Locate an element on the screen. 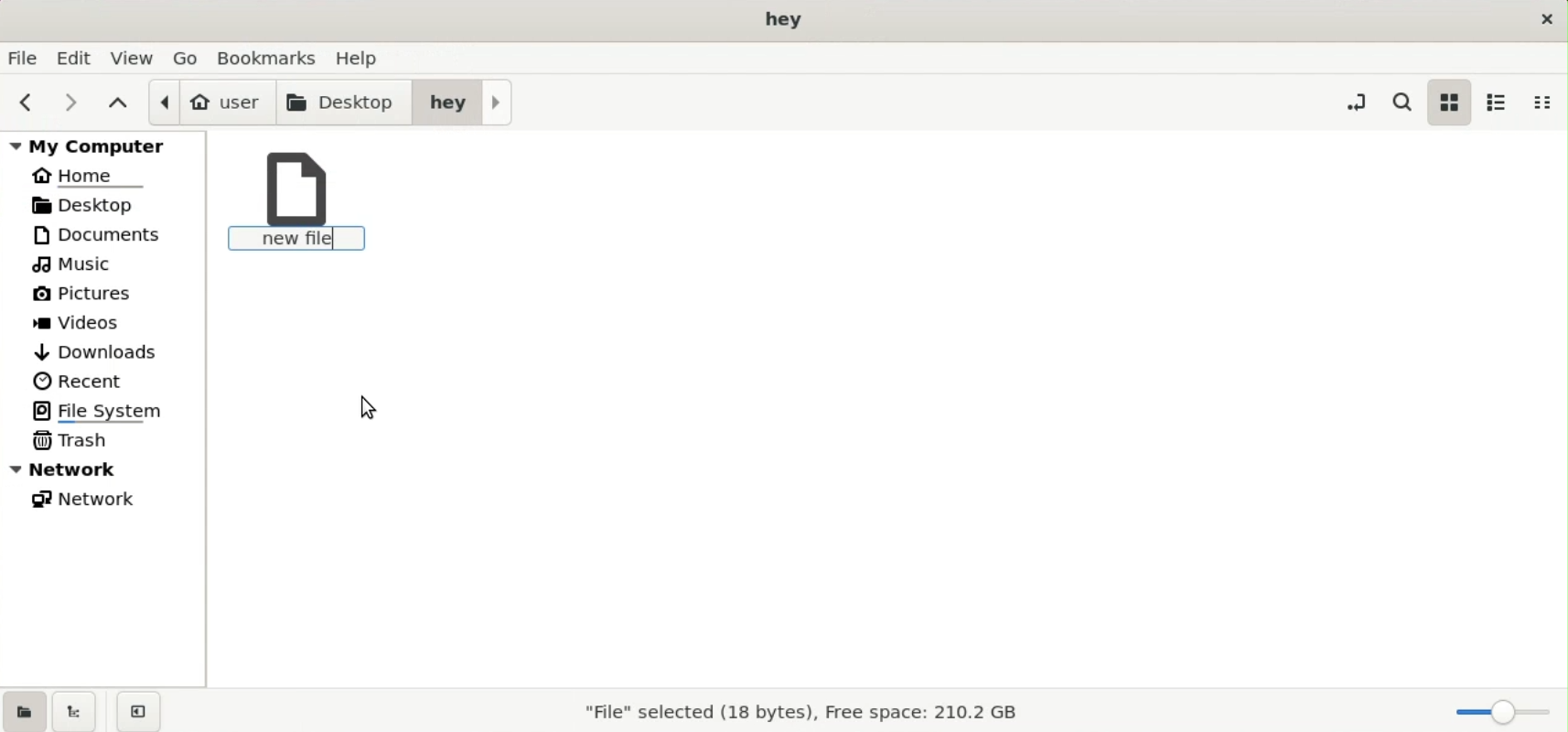  zoom is located at coordinates (1498, 712).